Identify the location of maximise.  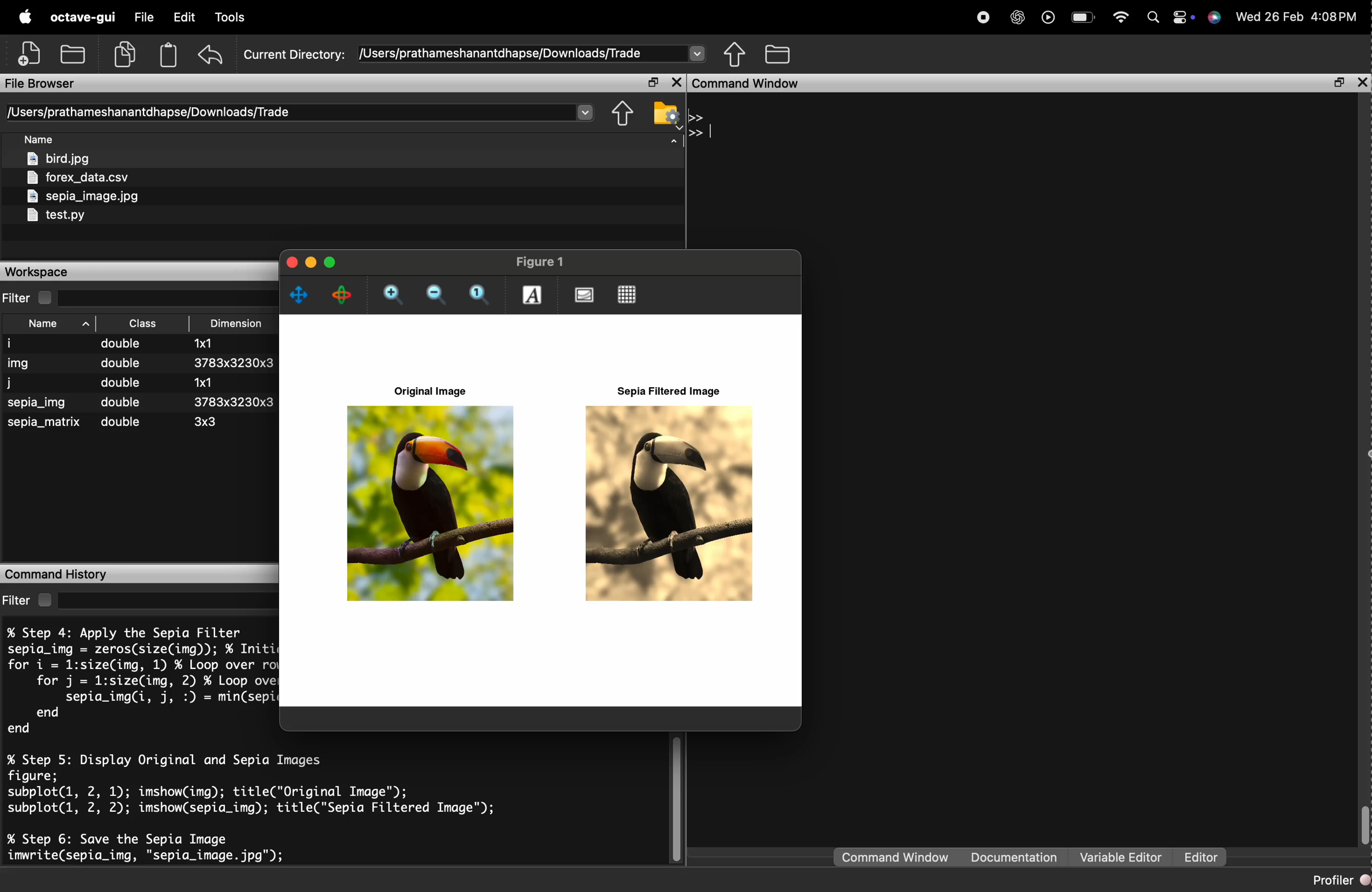
(328, 262).